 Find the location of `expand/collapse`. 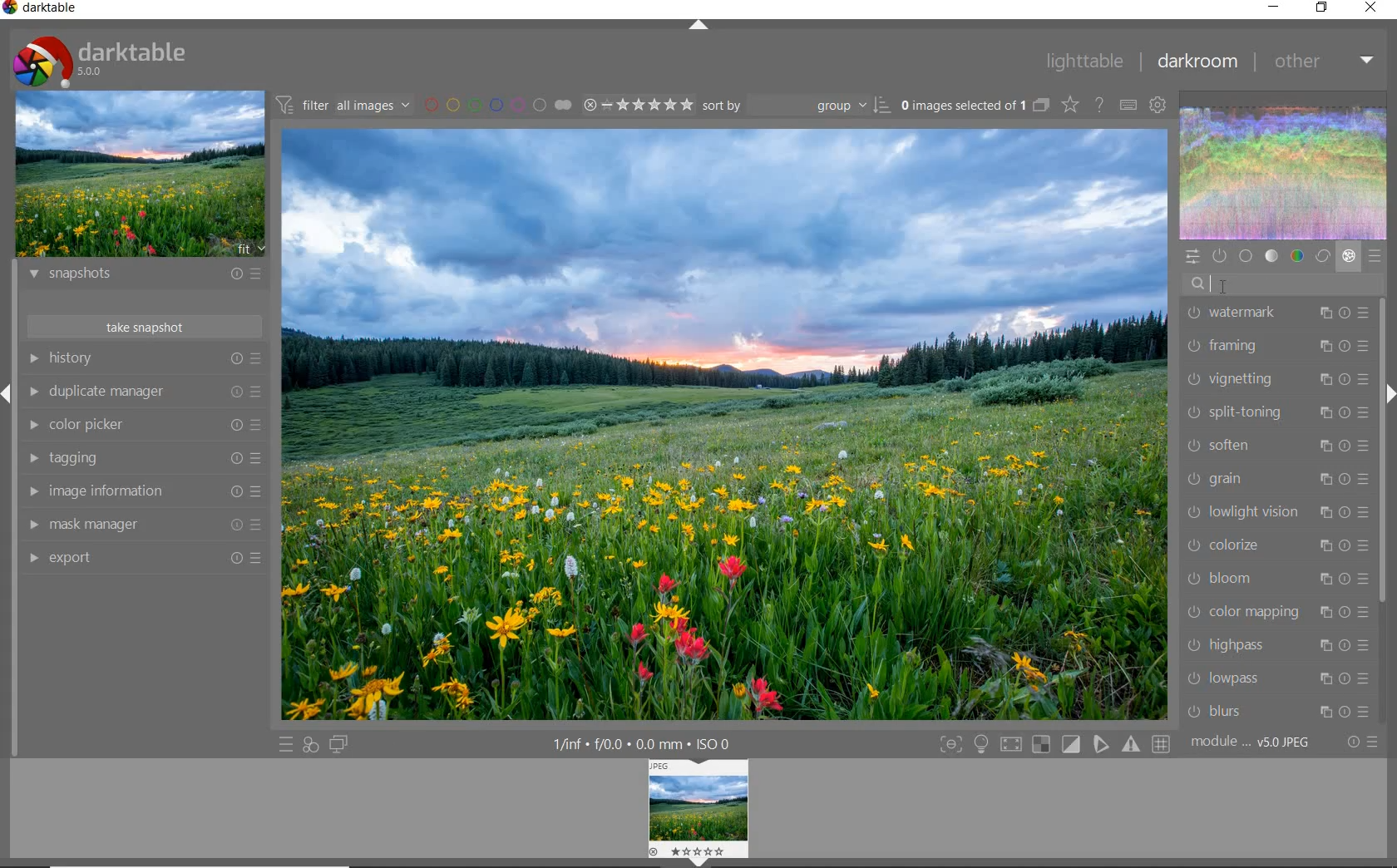

expand/collapse is located at coordinates (702, 28).